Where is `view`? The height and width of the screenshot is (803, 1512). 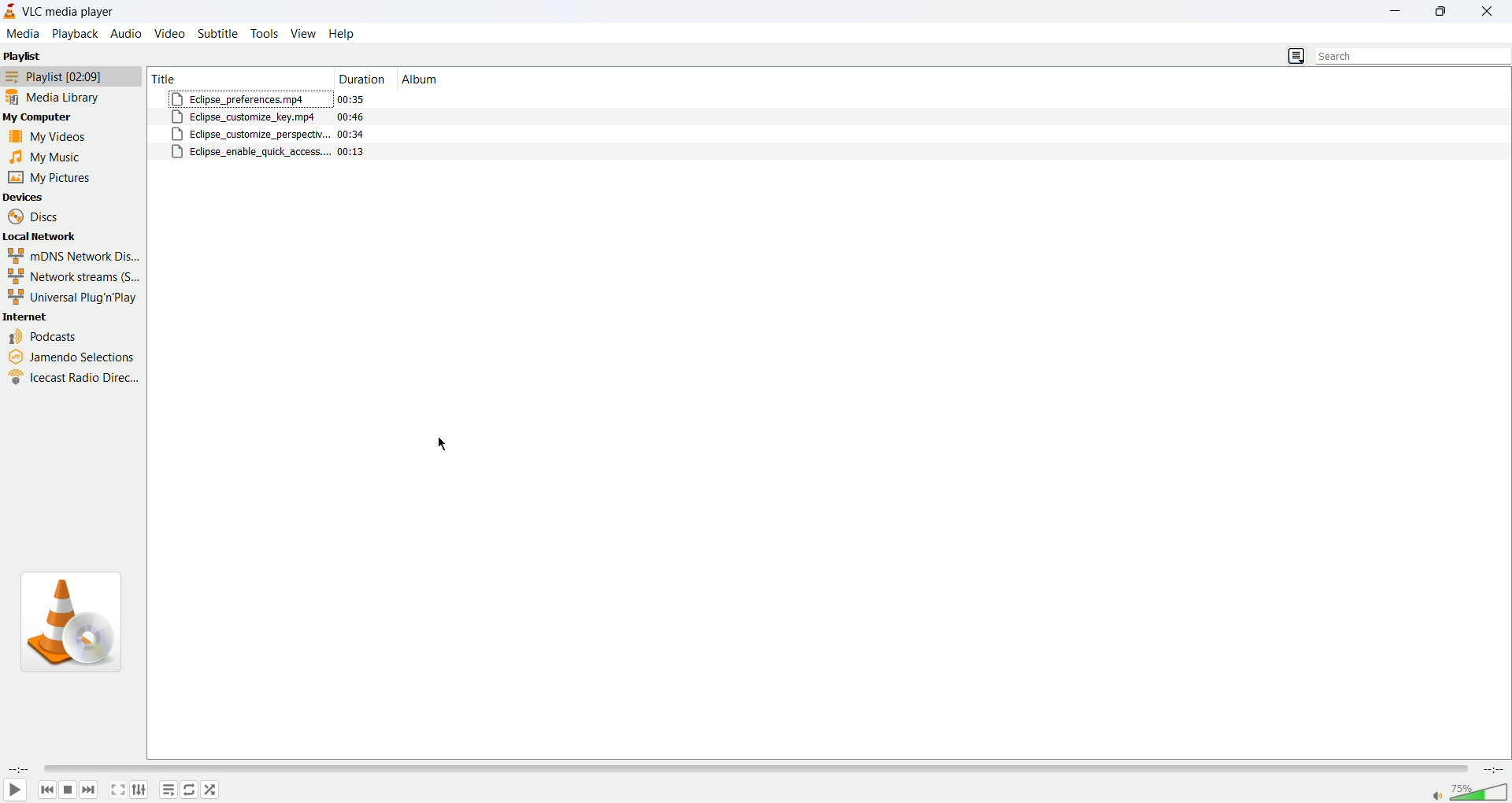 view is located at coordinates (303, 34).